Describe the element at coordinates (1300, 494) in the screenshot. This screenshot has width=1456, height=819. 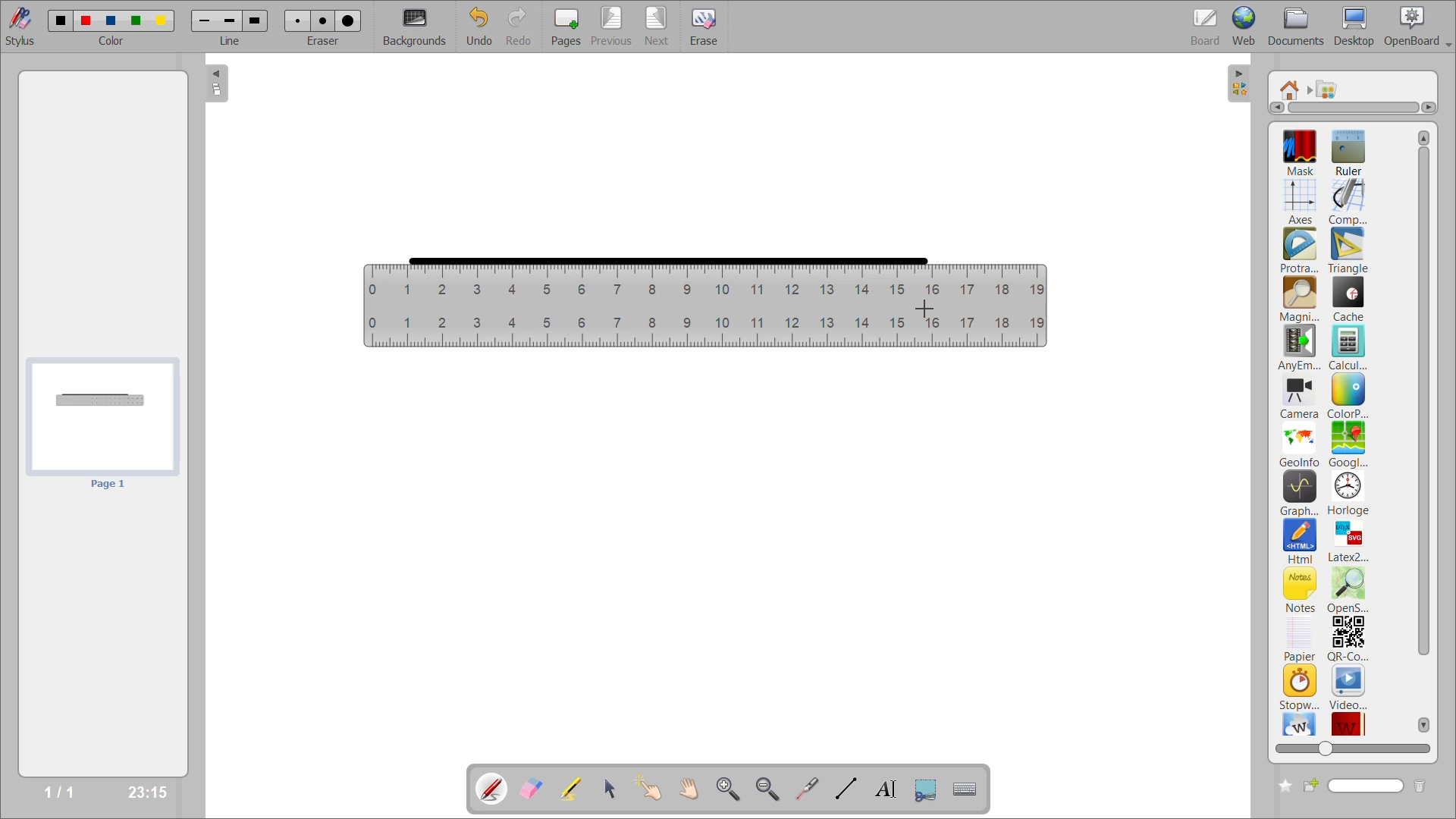
I see `graphme` at that location.